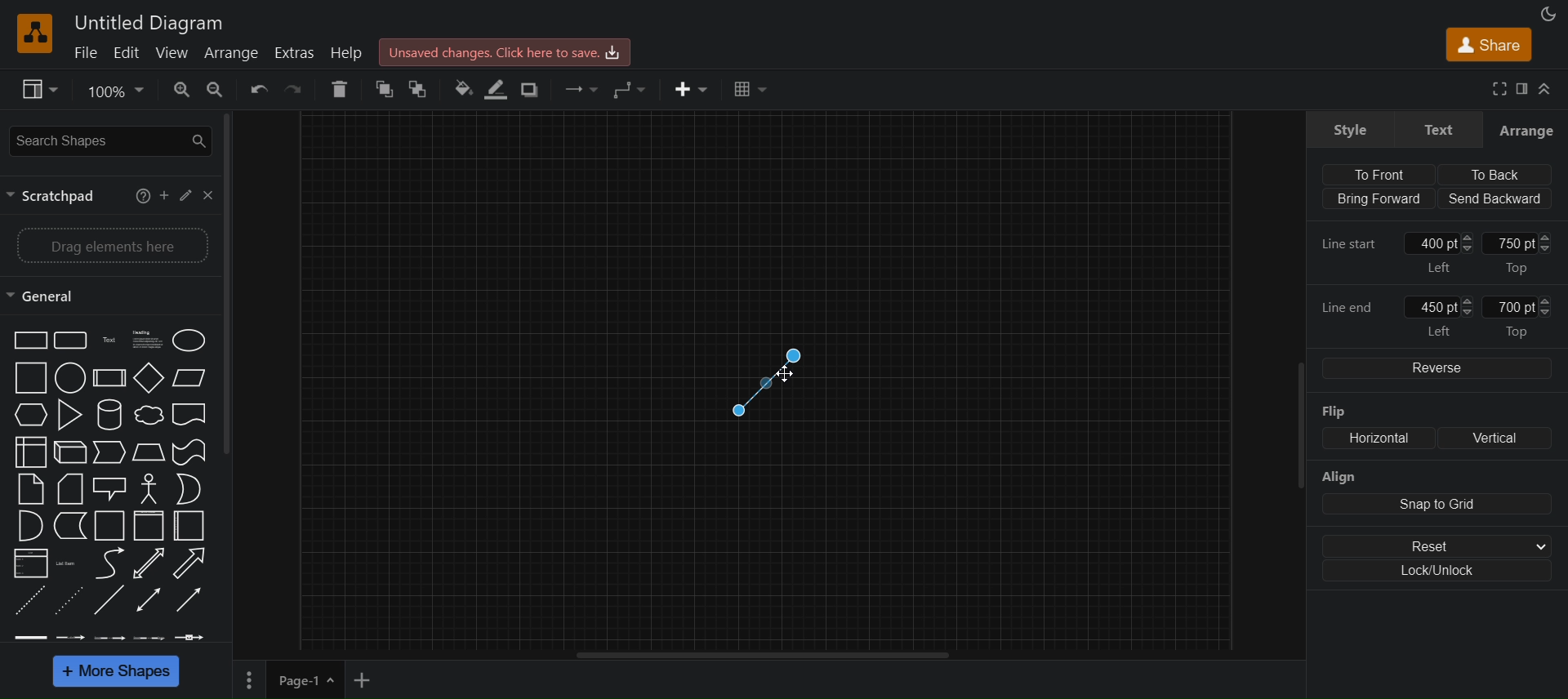 The image size is (1568, 699). What do you see at coordinates (1500, 90) in the screenshot?
I see `fullscreen` at bounding box center [1500, 90].